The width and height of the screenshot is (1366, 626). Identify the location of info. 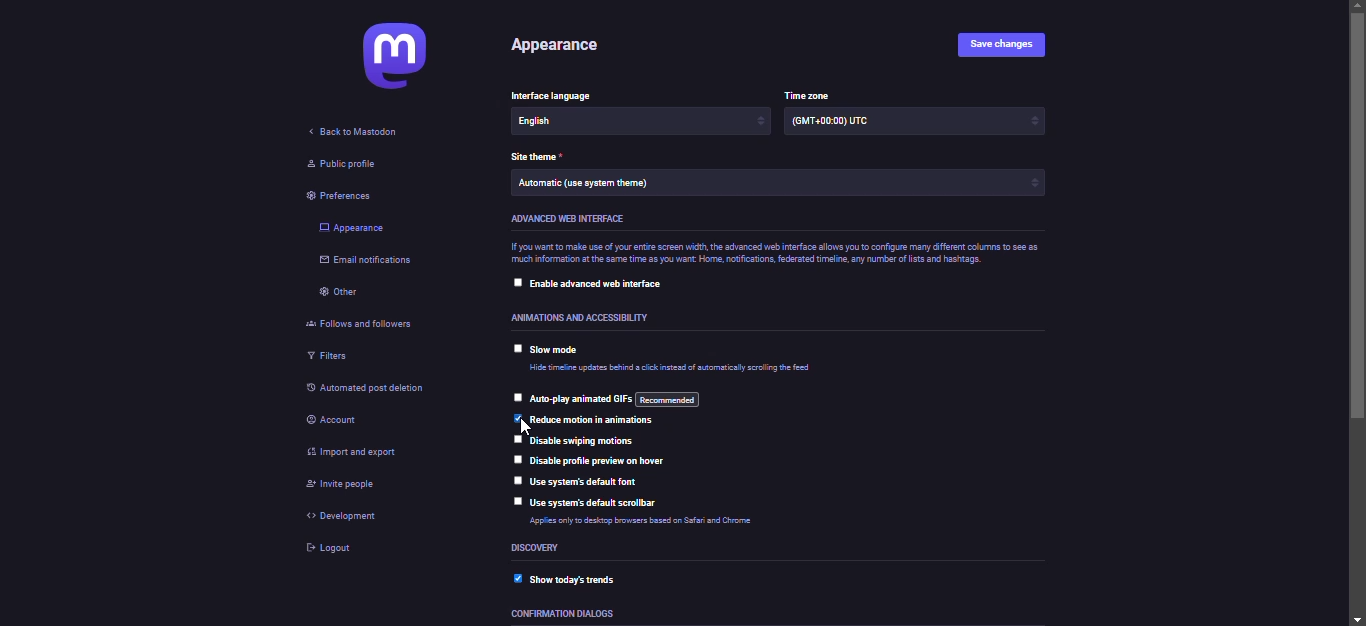
(670, 370).